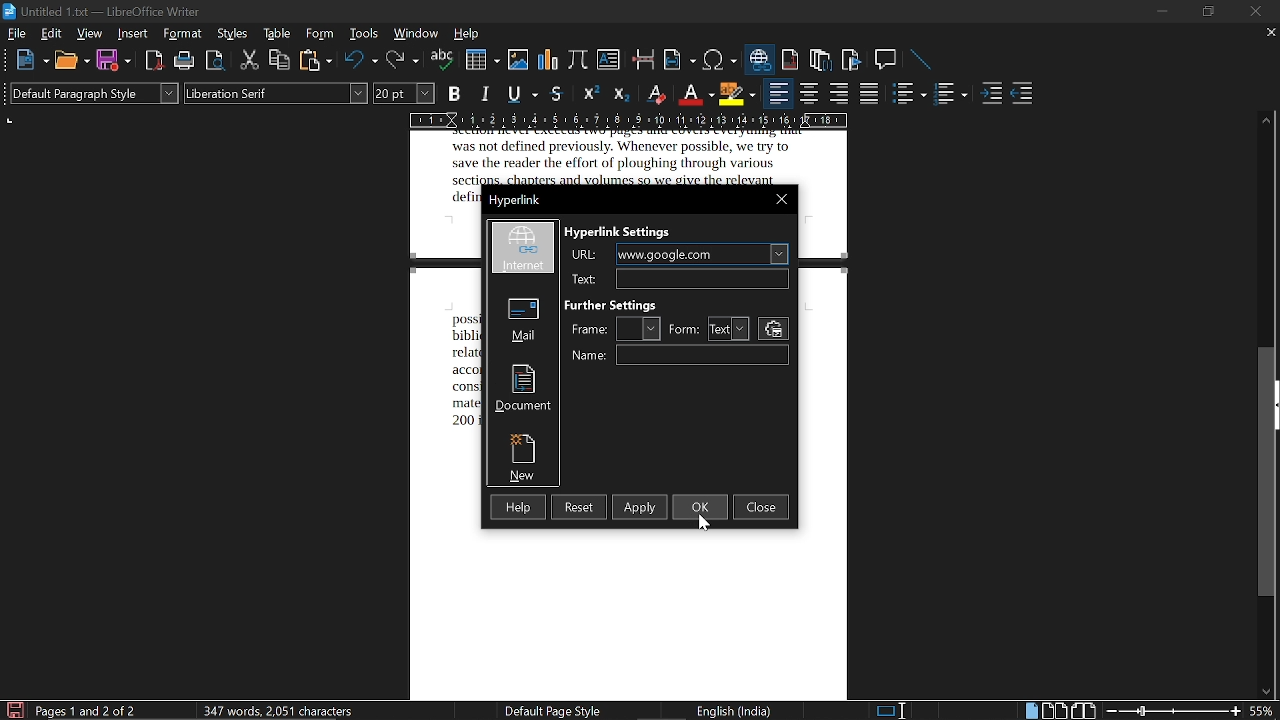 The width and height of the screenshot is (1280, 720). I want to click on table, so click(277, 35).